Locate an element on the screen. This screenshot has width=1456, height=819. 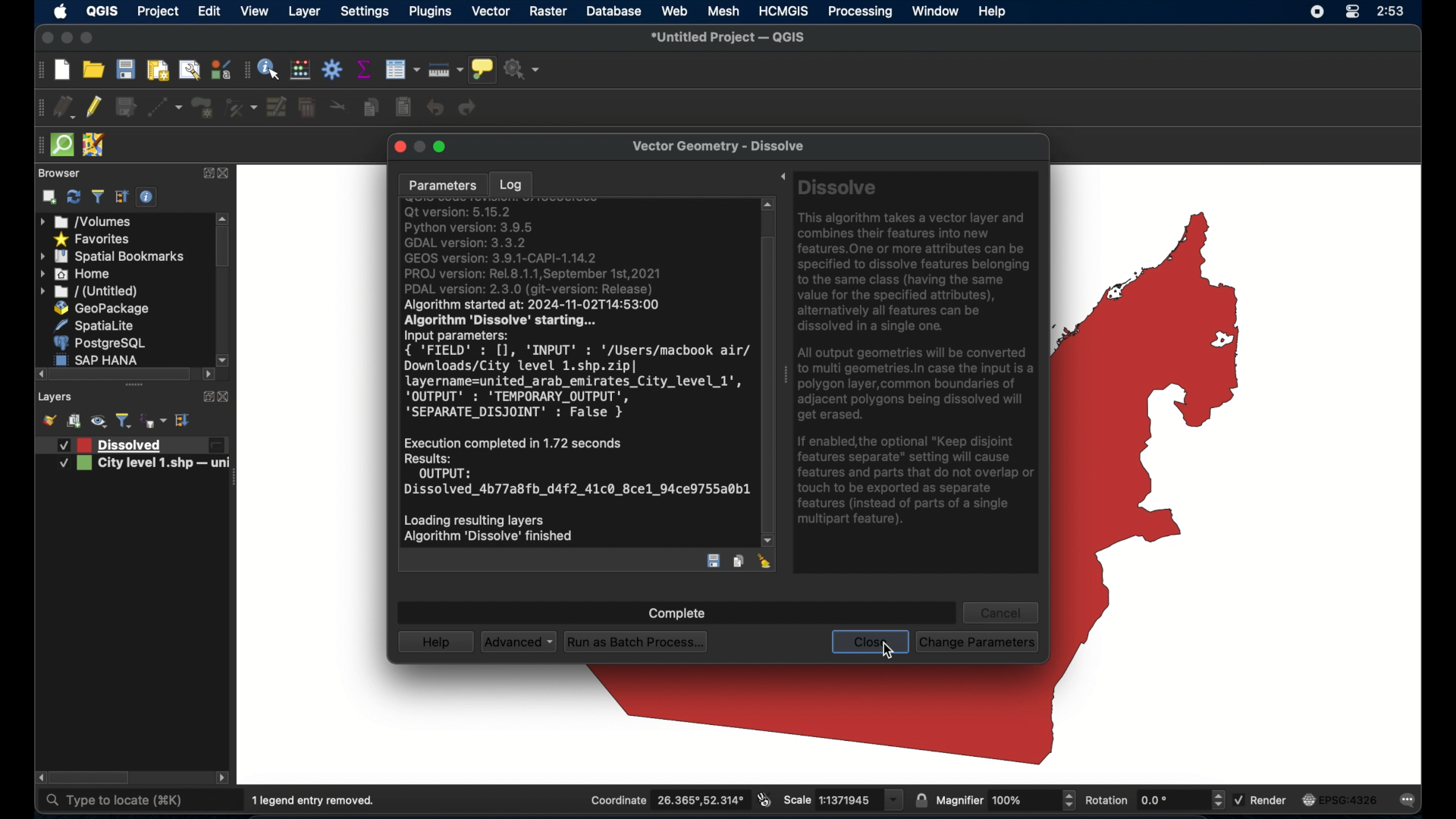
lock scale is located at coordinates (921, 799).